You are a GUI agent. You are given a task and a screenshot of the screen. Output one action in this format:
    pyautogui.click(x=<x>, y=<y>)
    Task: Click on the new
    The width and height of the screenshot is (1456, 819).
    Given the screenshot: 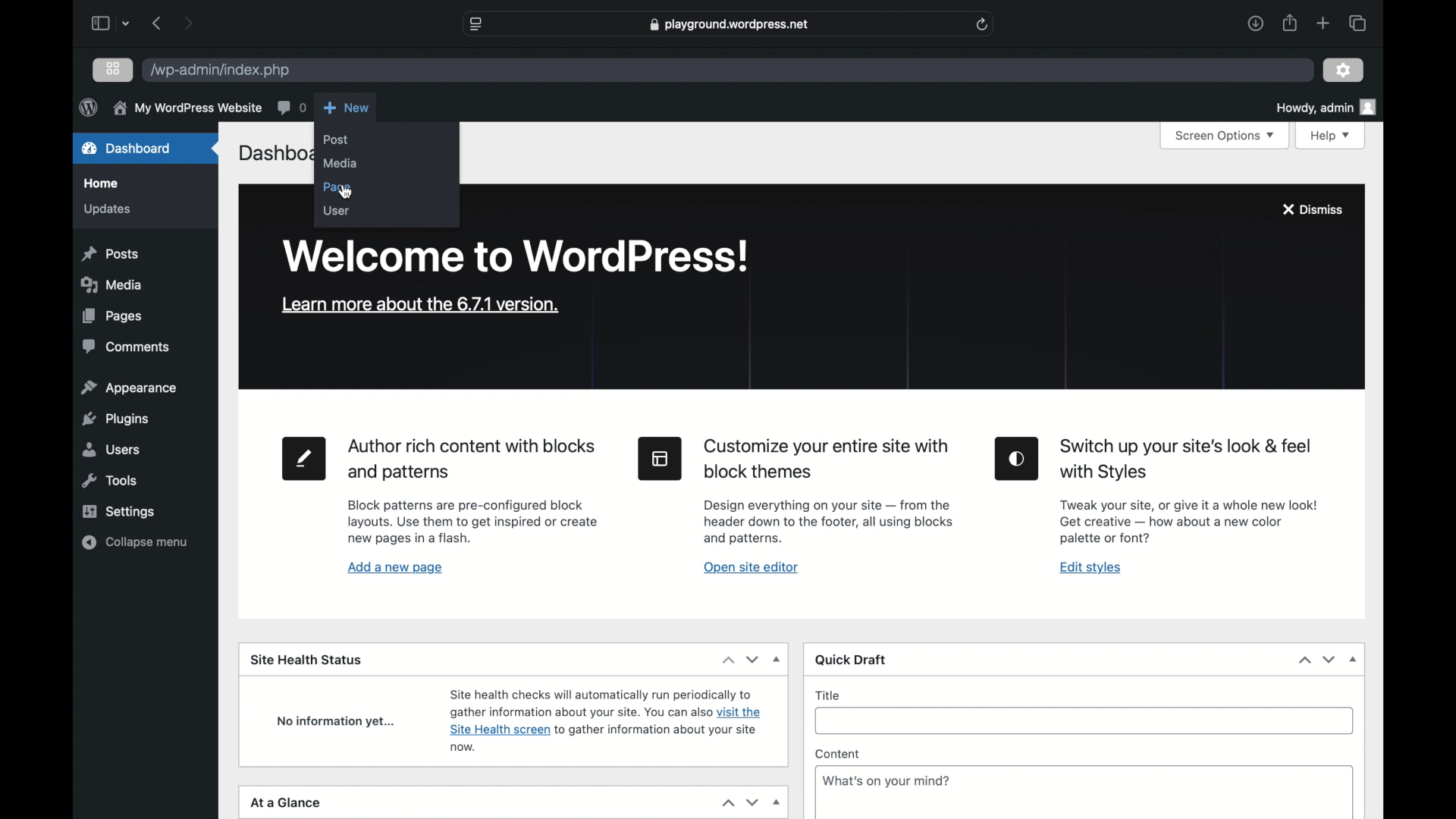 What is the action you would take?
    pyautogui.click(x=347, y=108)
    